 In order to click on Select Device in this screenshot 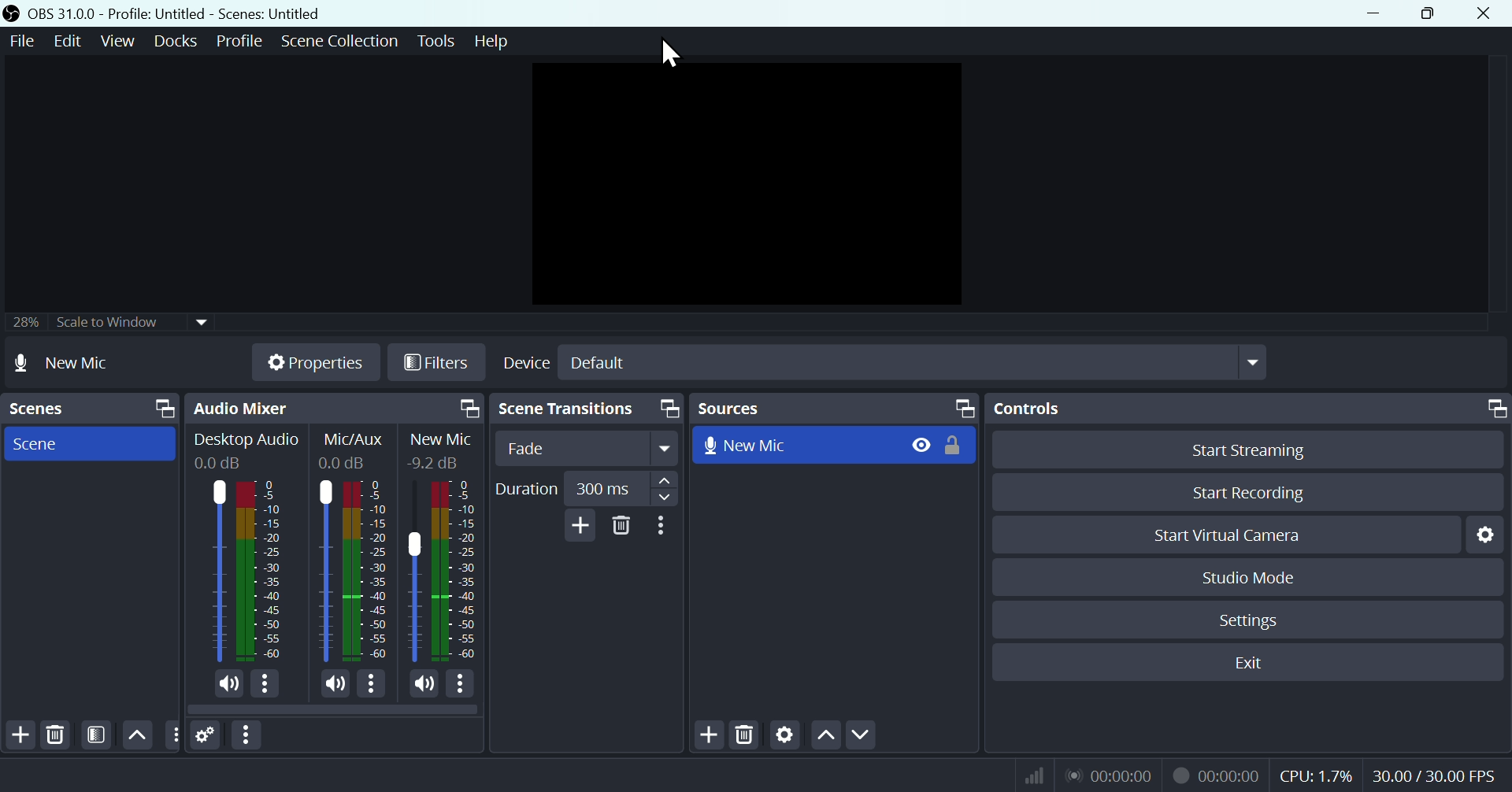, I will do `click(882, 362)`.